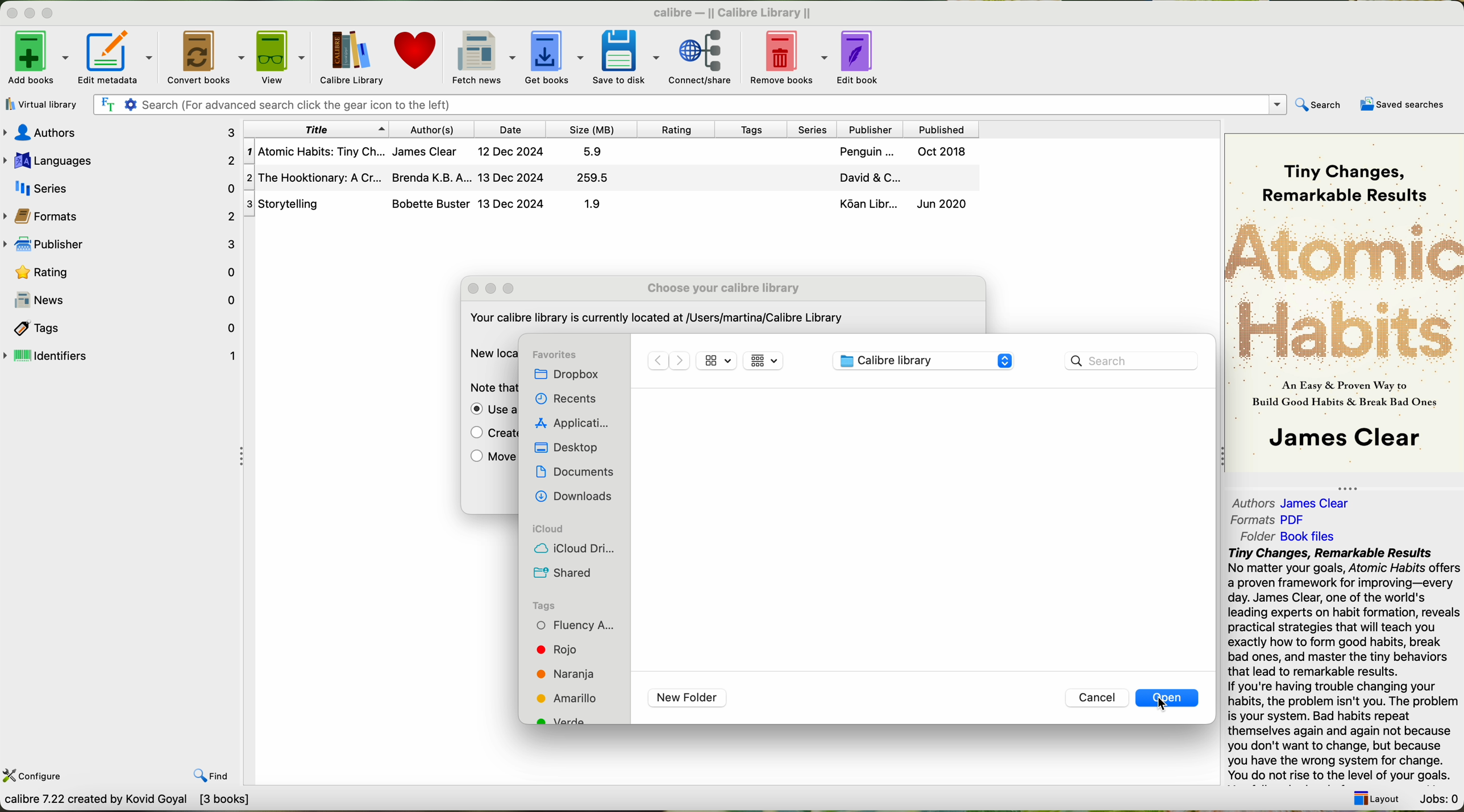 The image size is (1464, 812). Describe the element at coordinates (1344, 291) in the screenshot. I see `Atomic Habits` at that location.